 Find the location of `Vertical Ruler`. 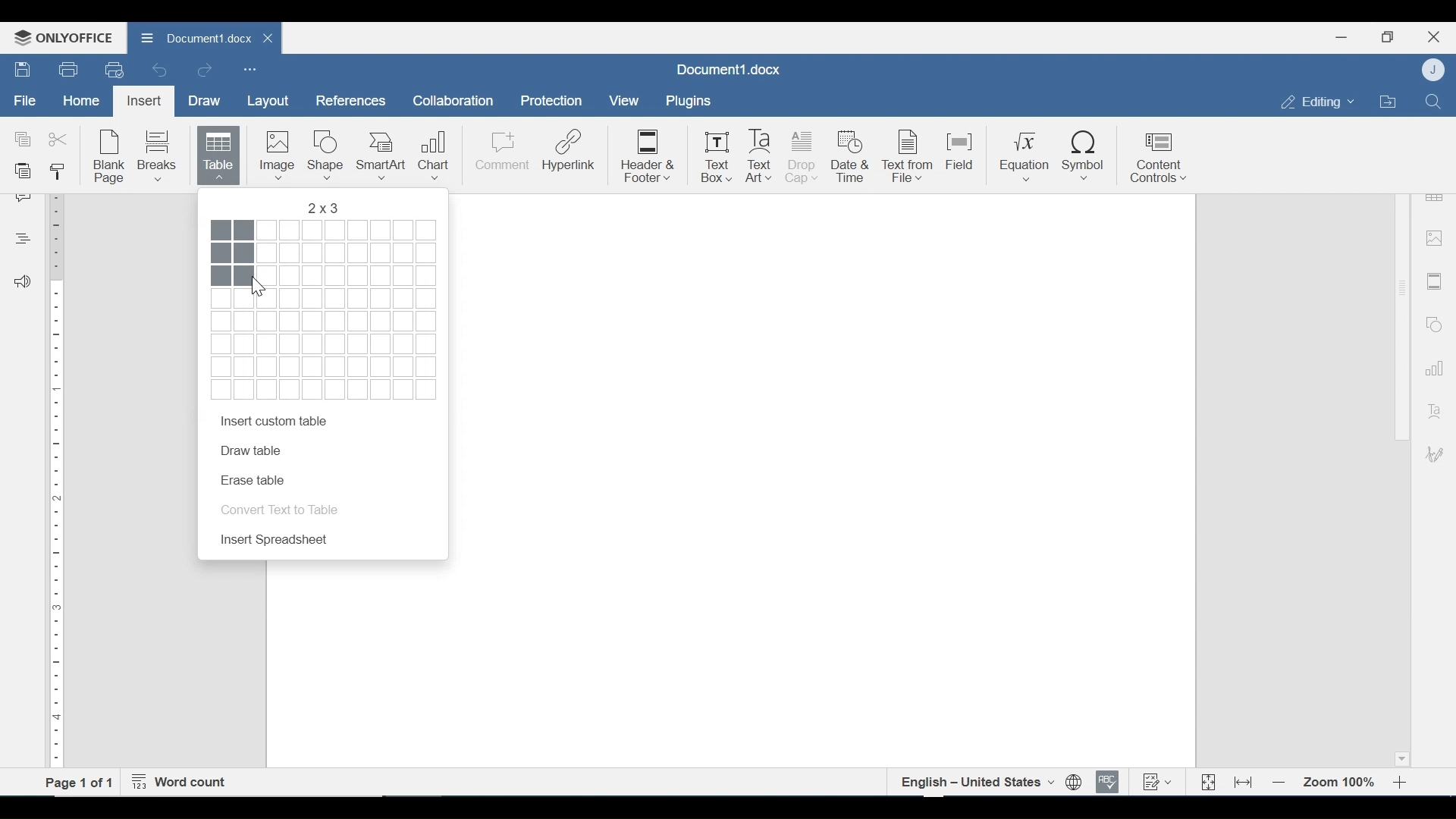

Vertical Ruler is located at coordinates (58, 481).